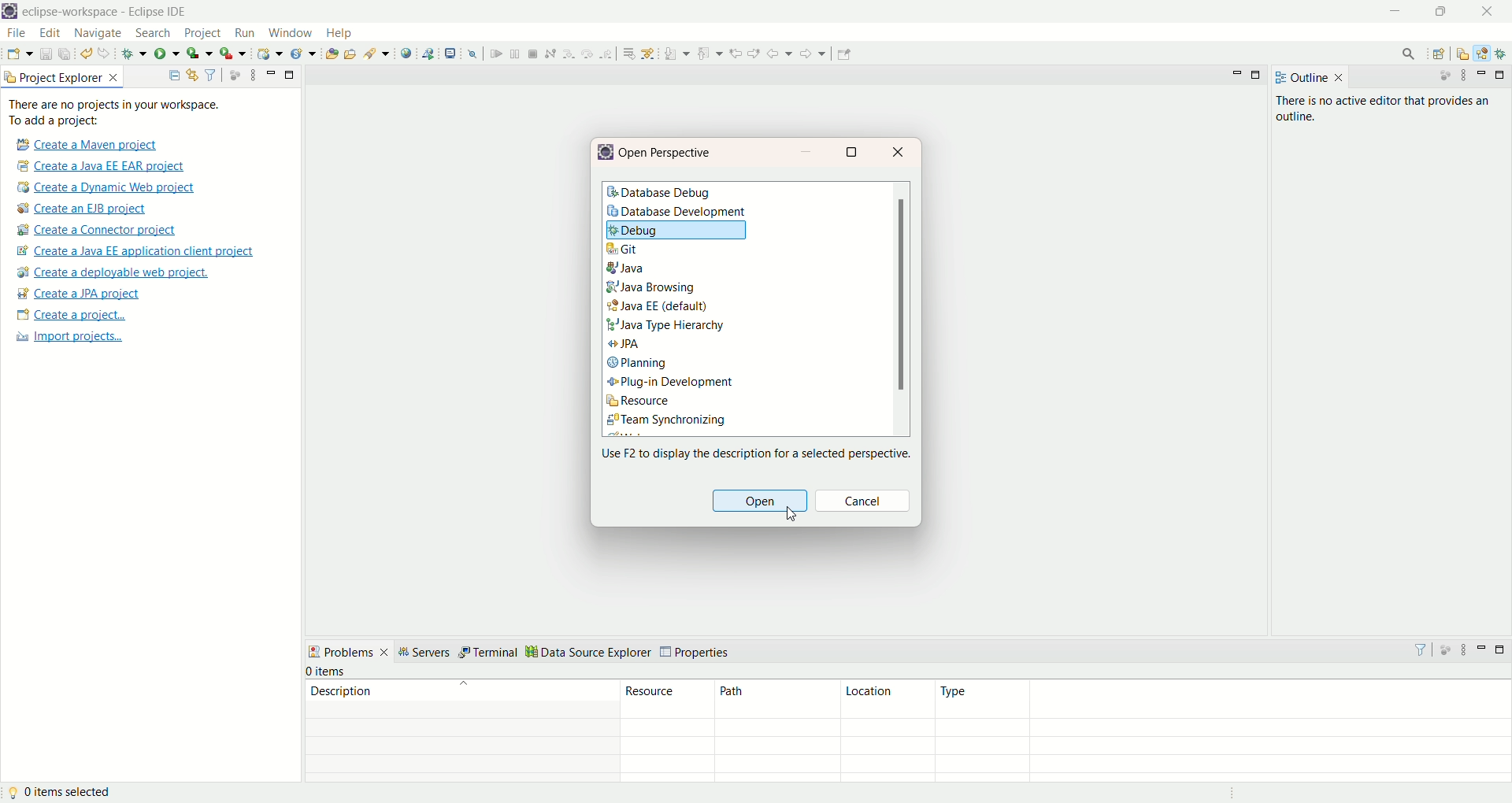 The height and width of the screenshot is (803, 1512). What do you see at coordinates (888, 731) in the screenshot?
I see `location` at bounding box center [888, 731].